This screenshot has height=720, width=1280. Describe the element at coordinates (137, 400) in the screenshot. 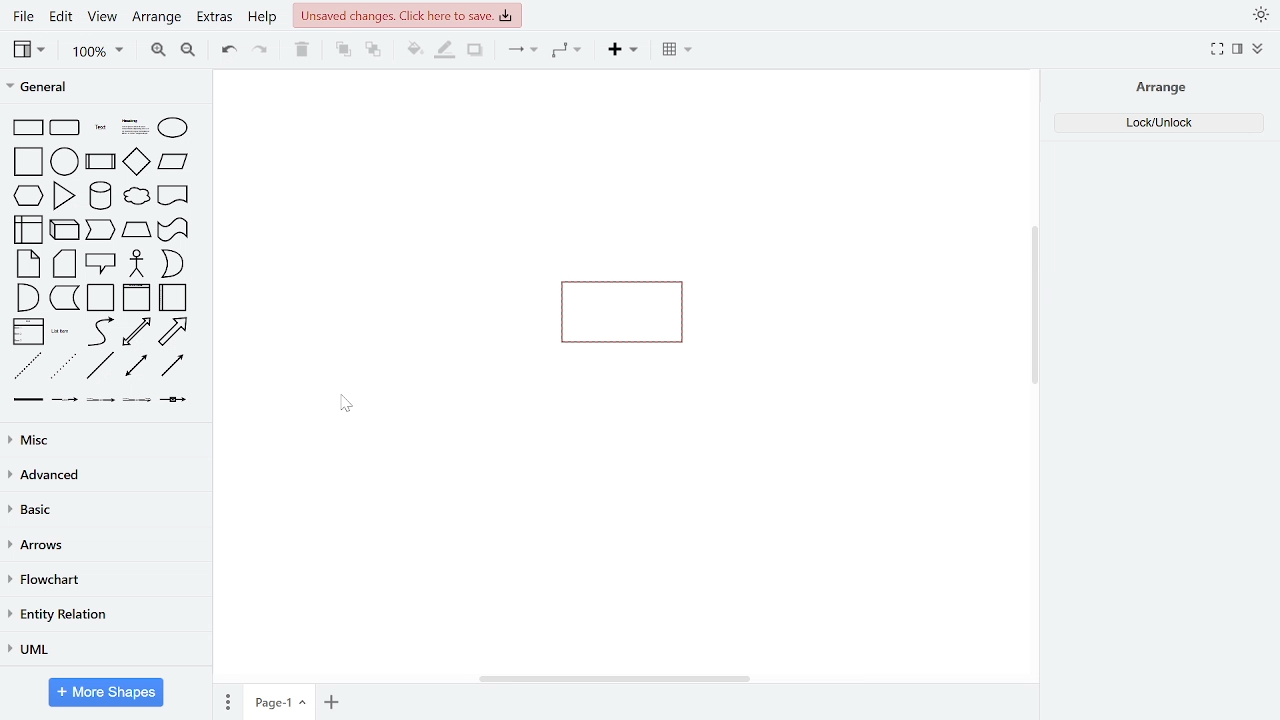

I see `connector with 3 label` at that location.